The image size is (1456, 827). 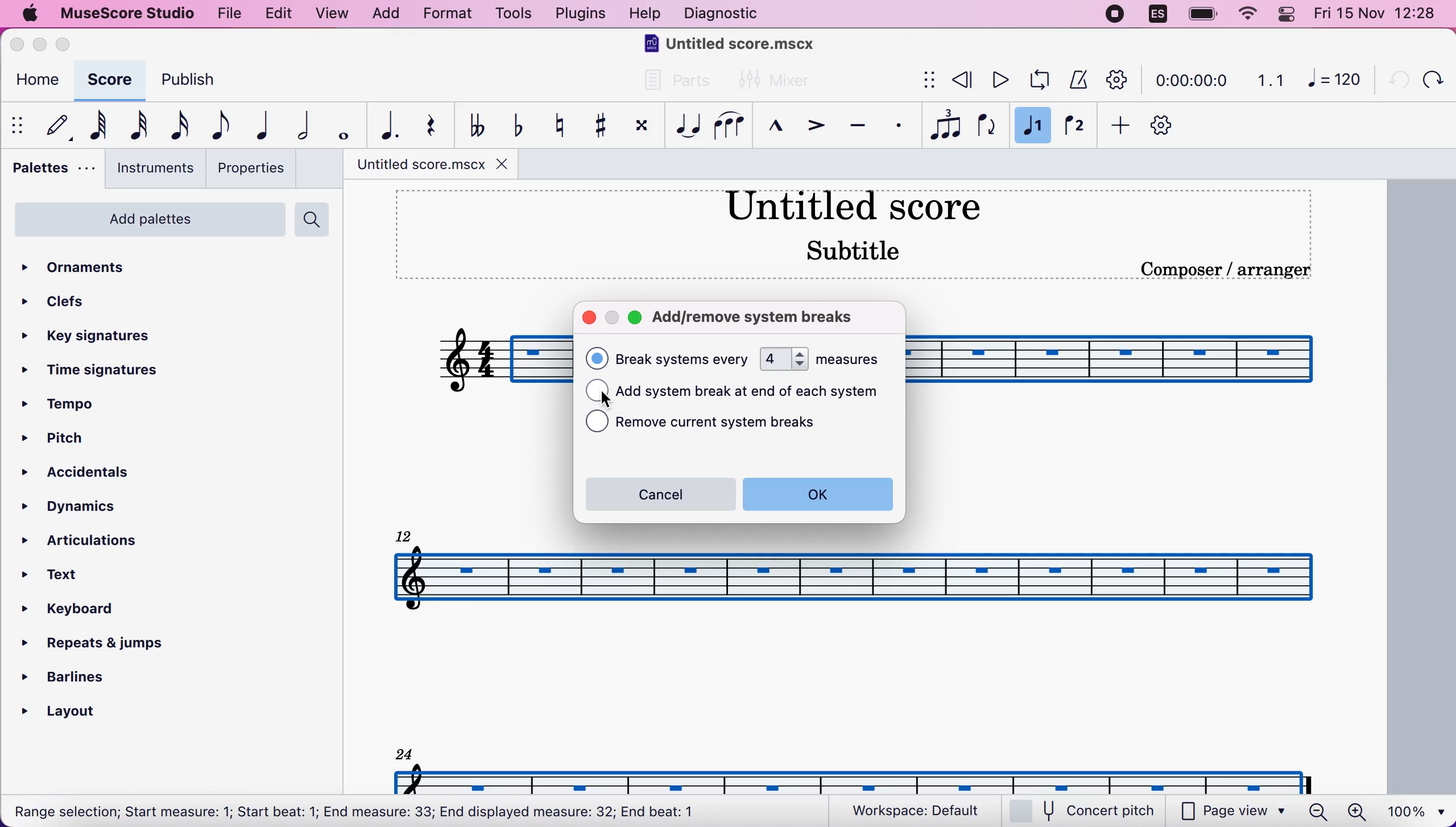 I want to click on tie, so click(x=685, y=126).